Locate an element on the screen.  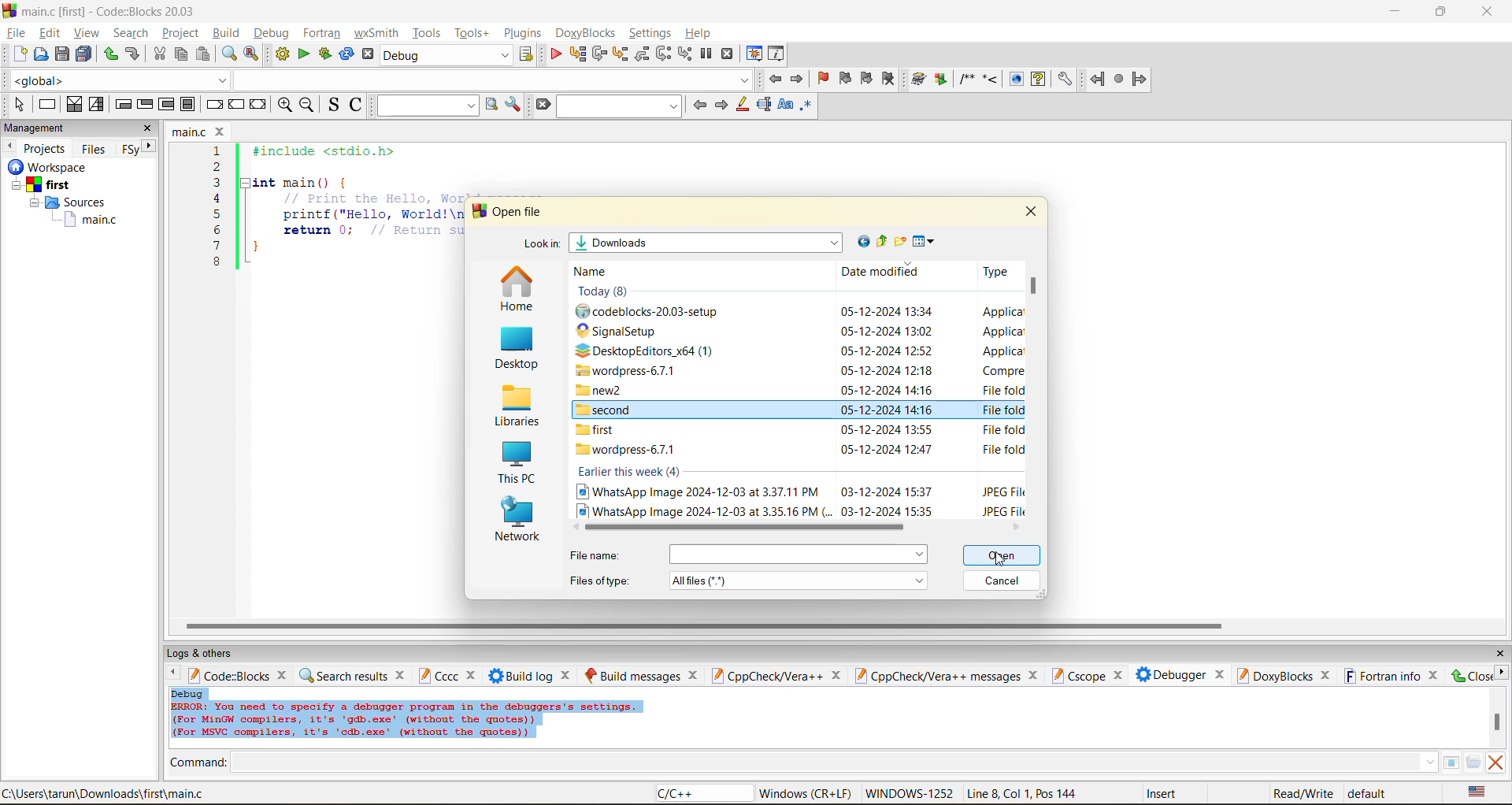
fortran is located at coordinates (322, 33).